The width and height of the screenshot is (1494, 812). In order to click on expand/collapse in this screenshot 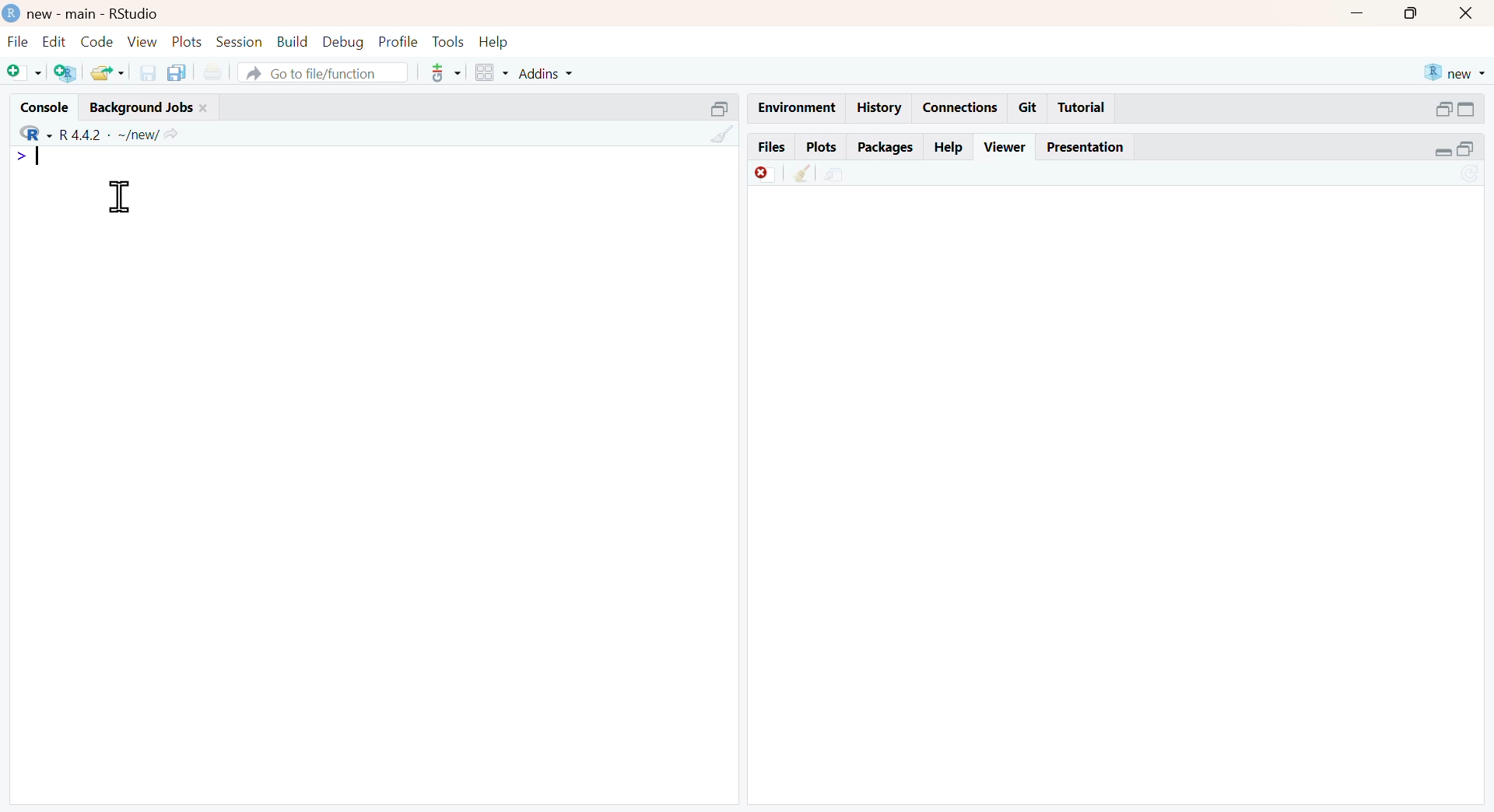, I will do `click(1468, 110)`.